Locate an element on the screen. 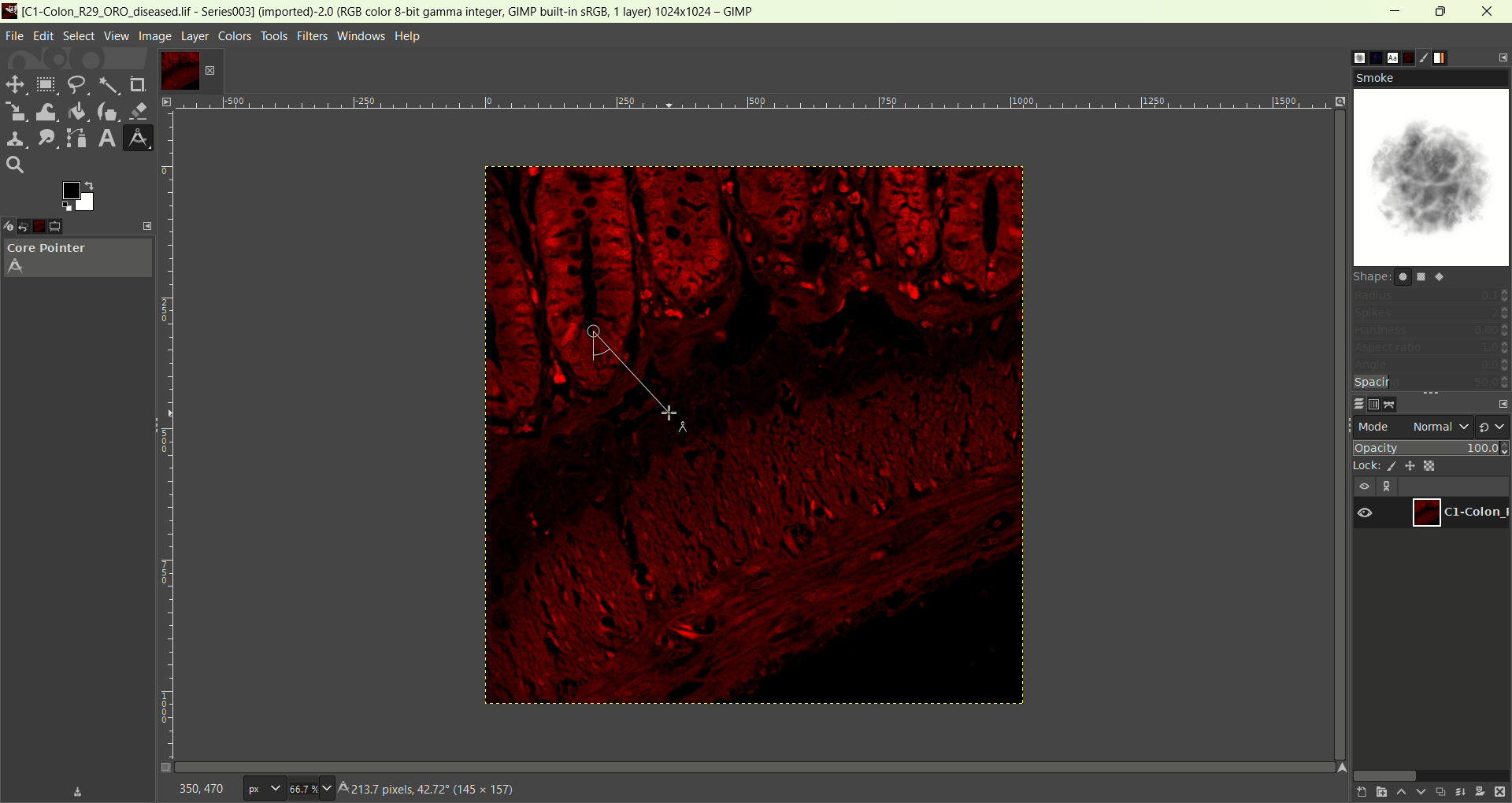 The height and width of the screenshot is (803, 1512). merge layer is located at coordinates (1460, 792).